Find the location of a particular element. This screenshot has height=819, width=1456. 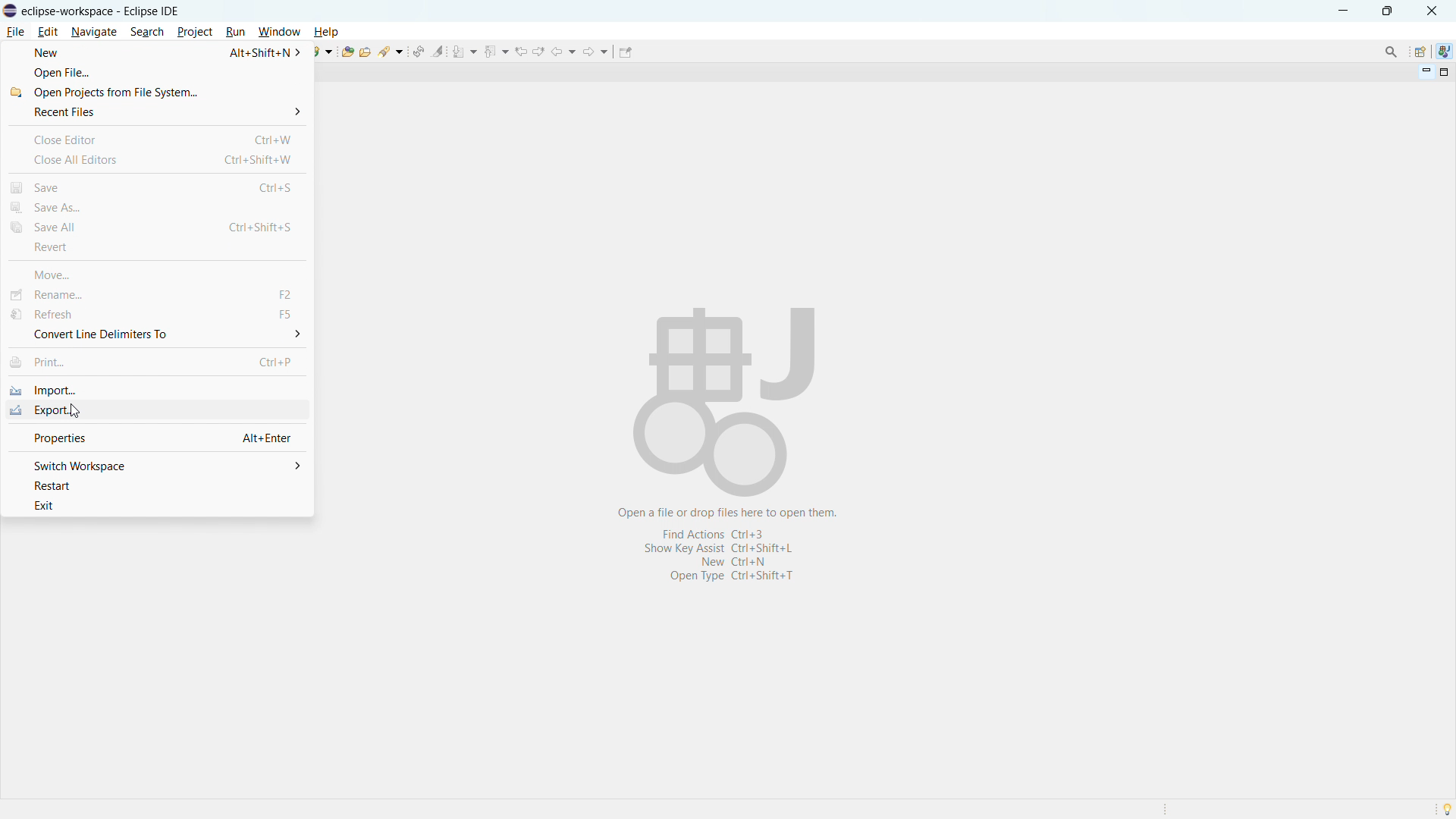

File is located at coordinates (18, 31).